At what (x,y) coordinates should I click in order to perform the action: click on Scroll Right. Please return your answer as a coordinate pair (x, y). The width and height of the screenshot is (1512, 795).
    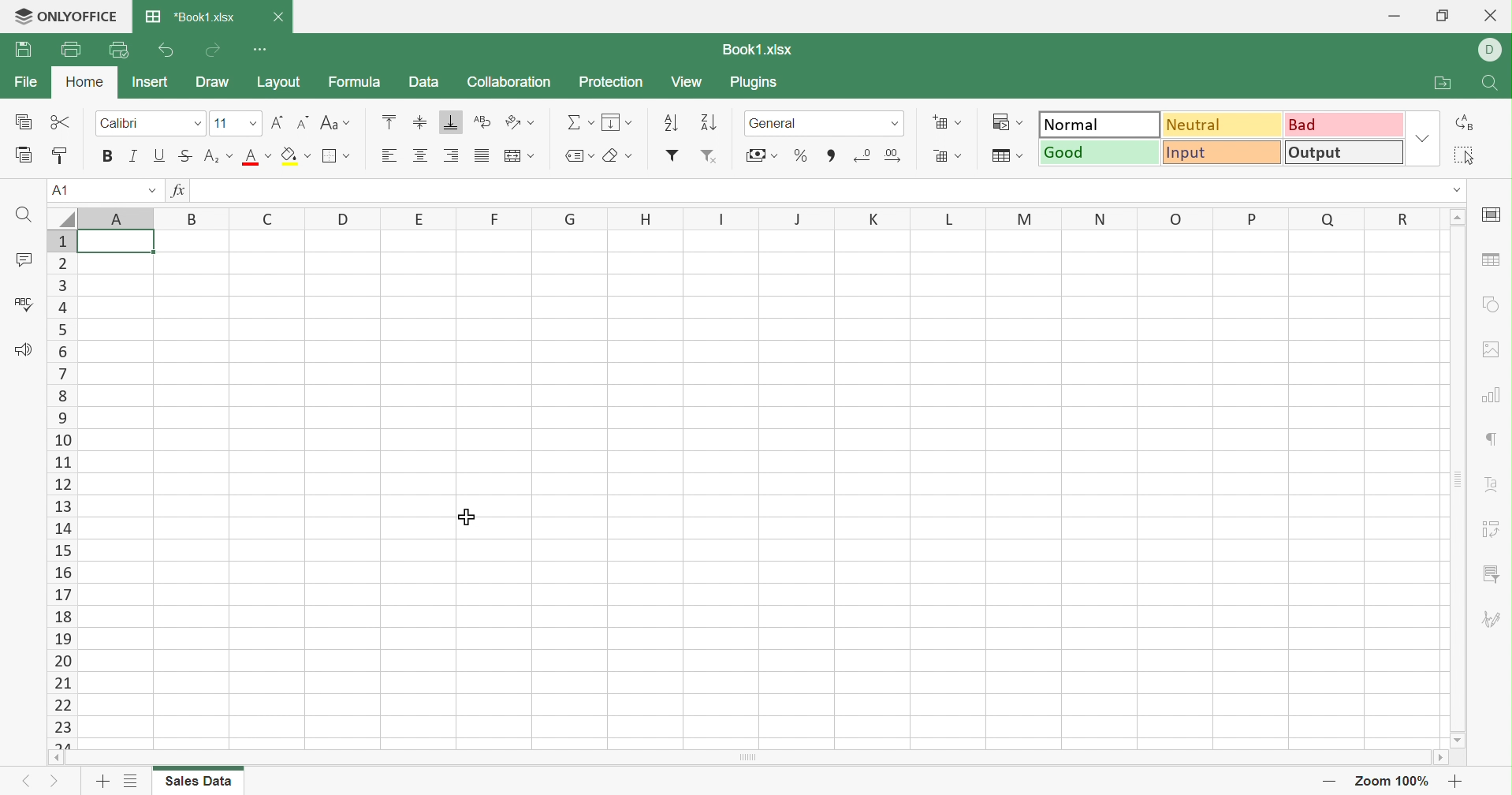
    Looking at the image, I should click on (1437, 757).